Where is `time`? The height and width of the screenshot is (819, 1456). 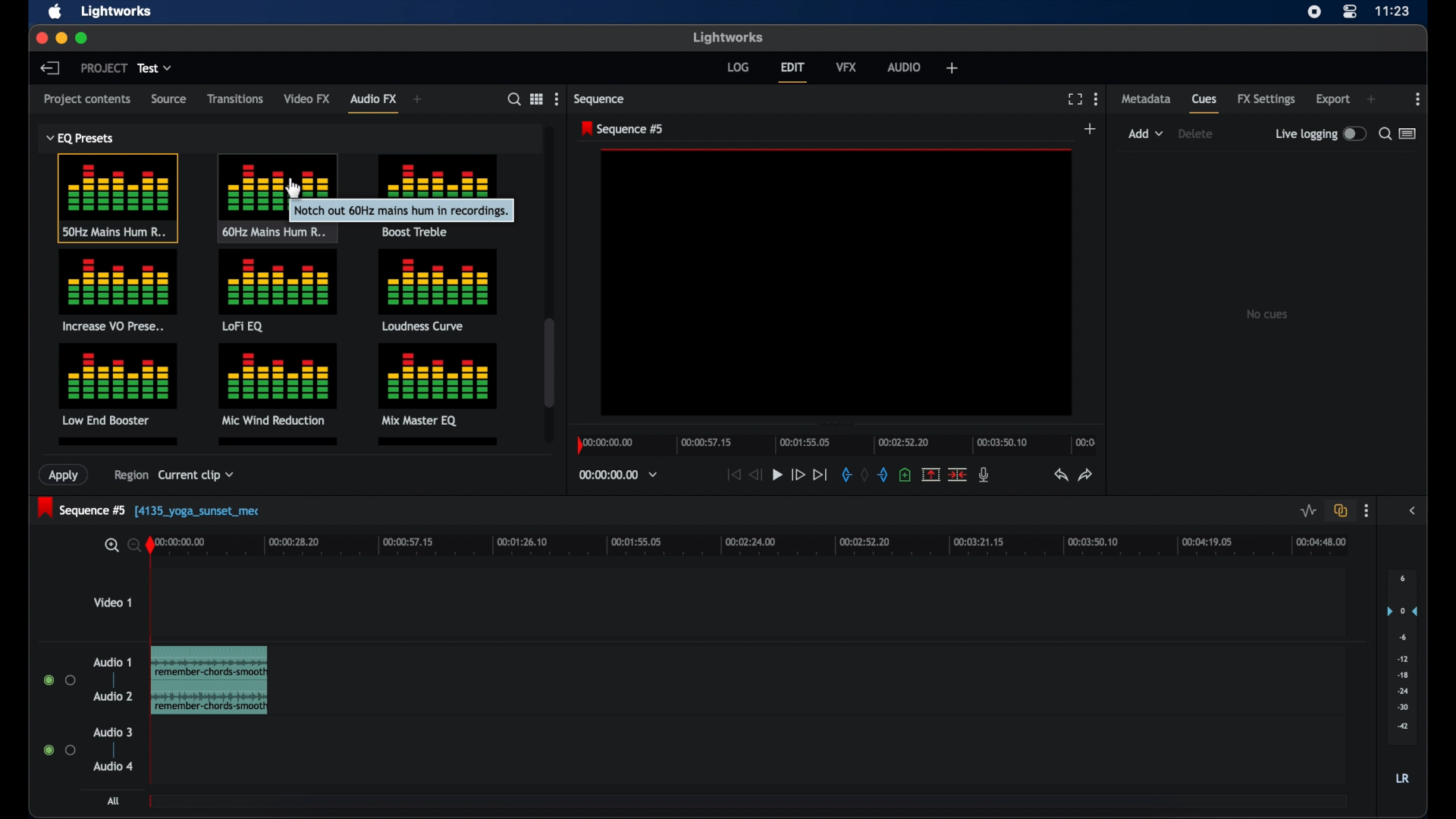
time is located at coordinates (1393, 11).